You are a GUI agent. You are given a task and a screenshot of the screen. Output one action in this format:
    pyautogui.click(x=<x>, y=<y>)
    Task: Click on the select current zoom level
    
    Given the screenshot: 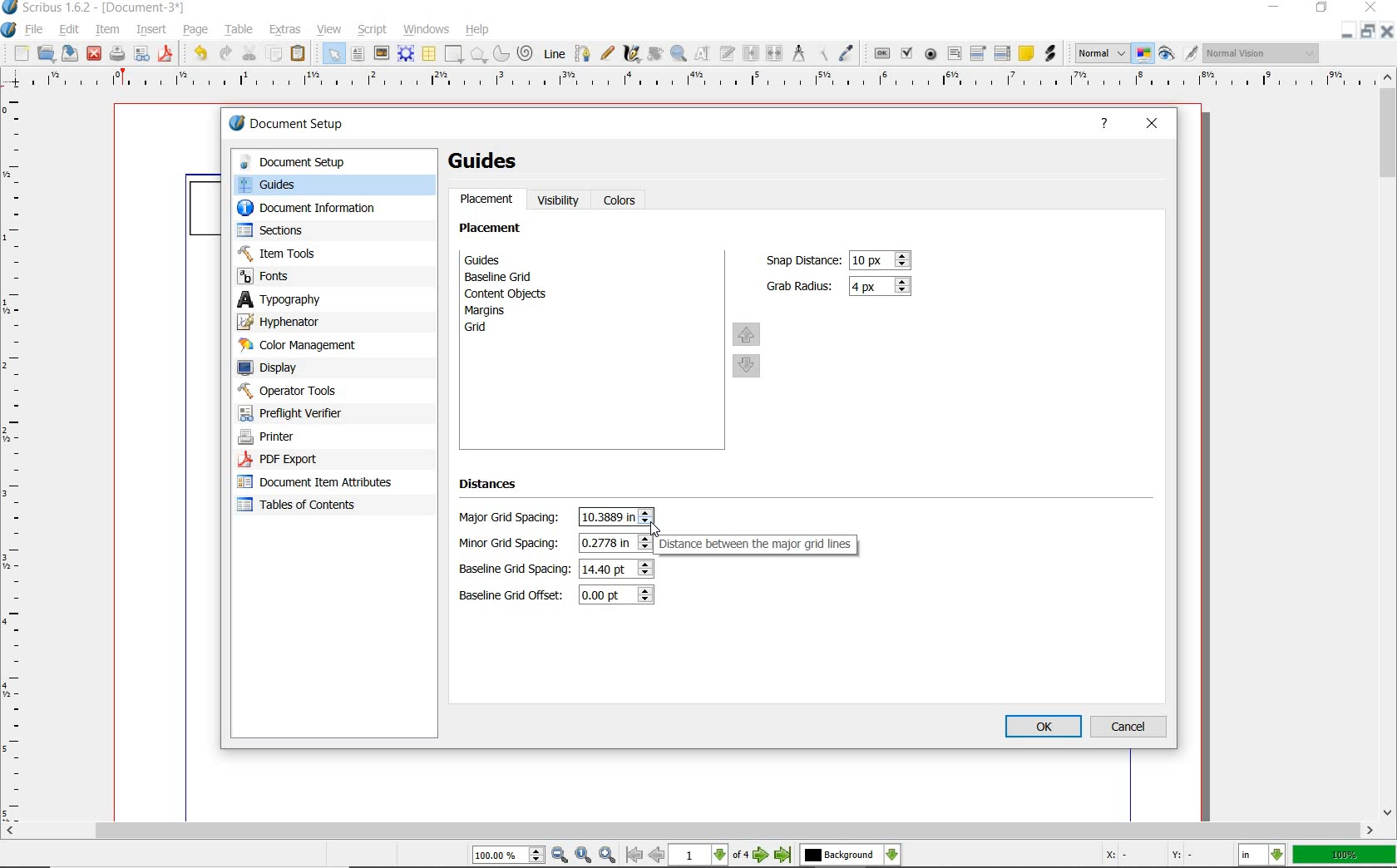 What is the action you would take?
    pyautogui.click(x=510, y=855)
    